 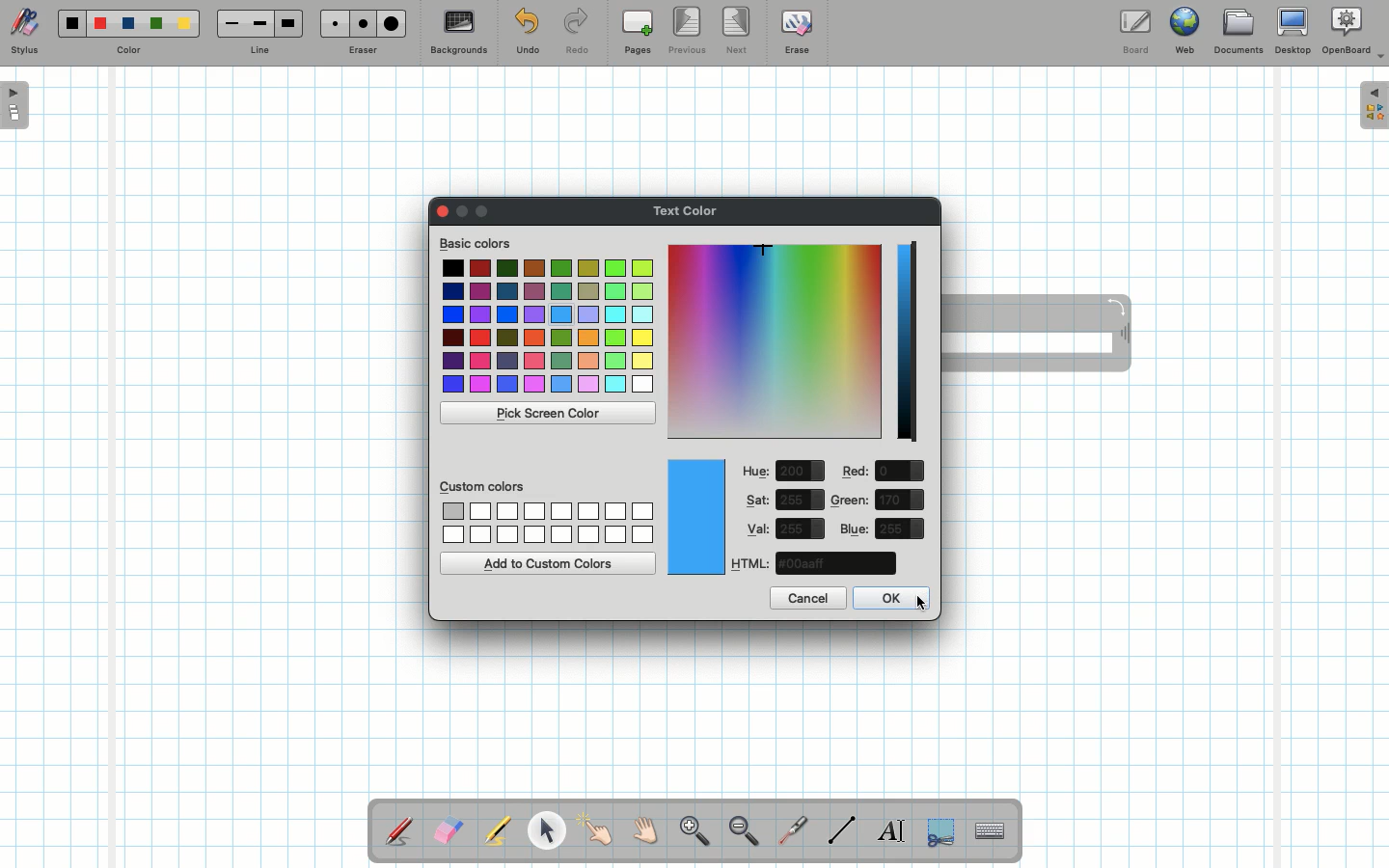 I want to click on Medium eraser, so click(x=360, y=23).